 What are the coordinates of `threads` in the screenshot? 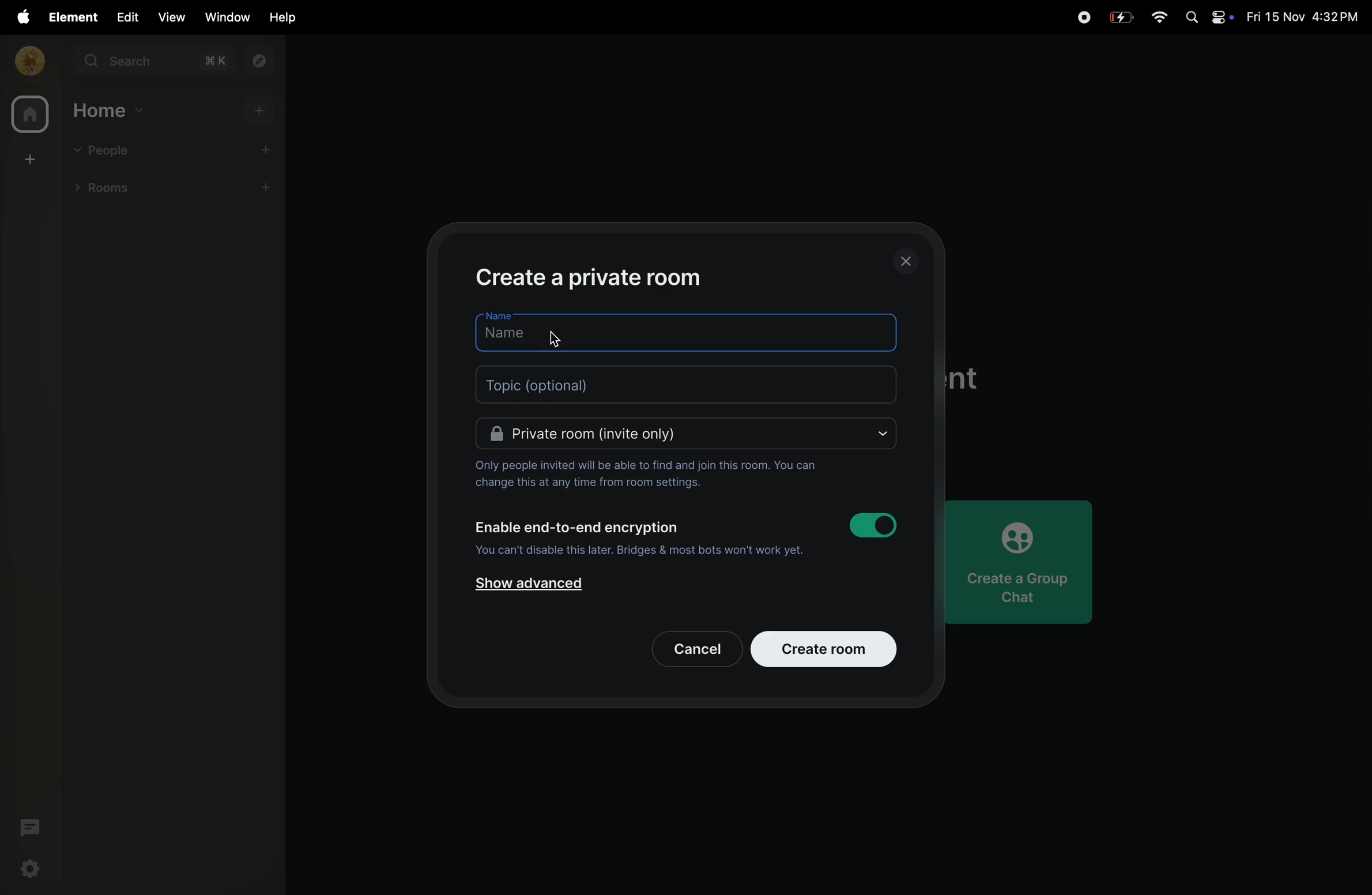 It's located at (28, 827).